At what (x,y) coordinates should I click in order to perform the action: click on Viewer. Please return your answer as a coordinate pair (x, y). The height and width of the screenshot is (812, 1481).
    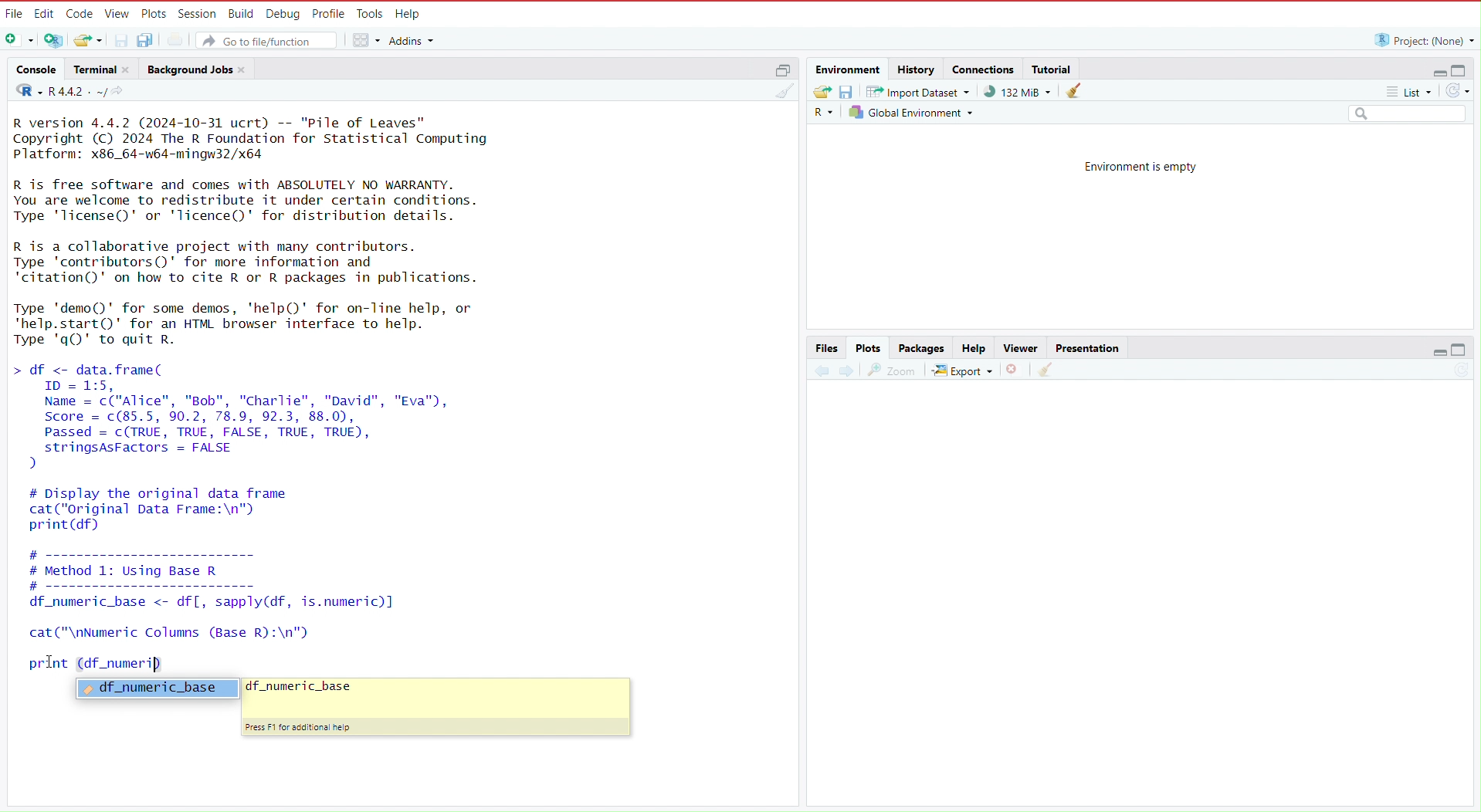
    Looking at the image, I should click on (1018, 347).